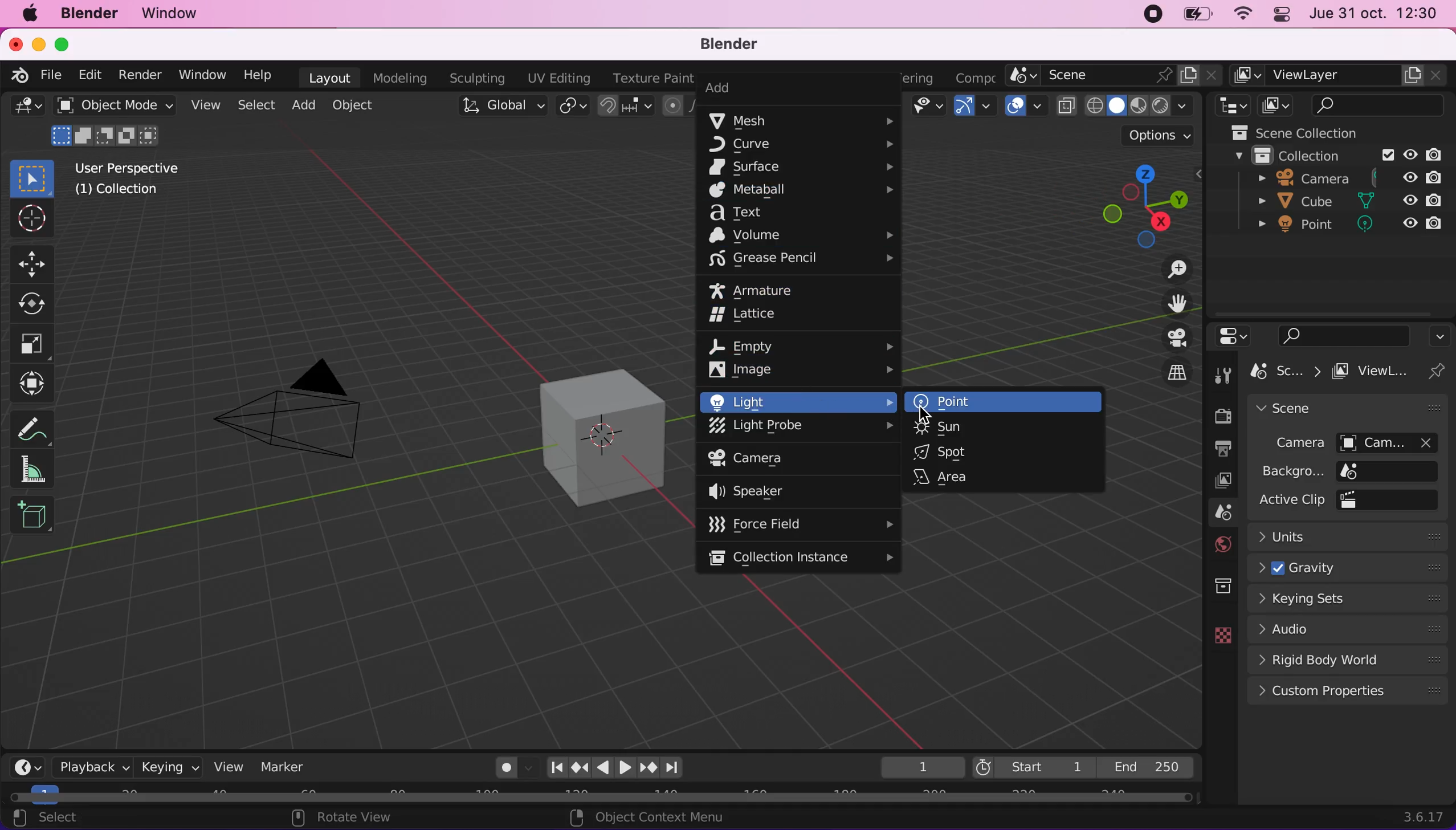 This screenshot has height=830, width=1456. I want to click on search, so click(1379, 105).